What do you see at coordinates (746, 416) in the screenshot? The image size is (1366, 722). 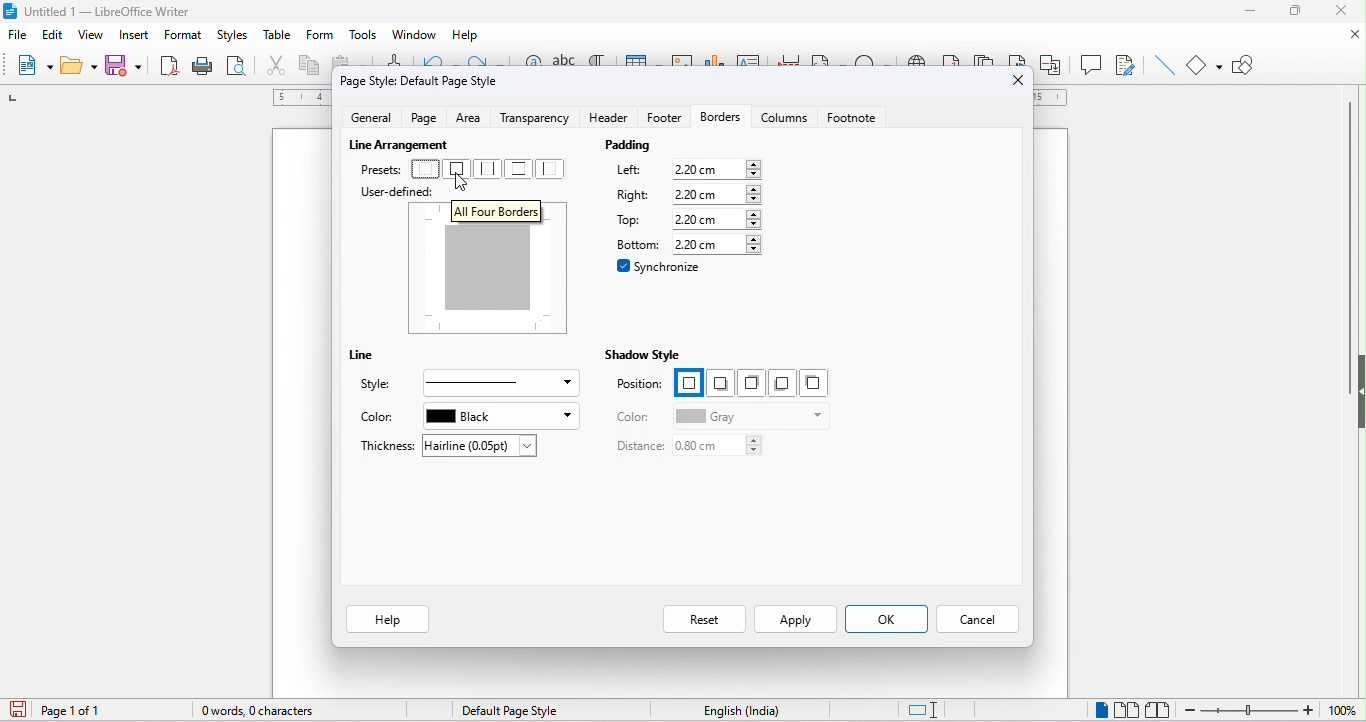 I see `gray` at bounding box center [746, 416].